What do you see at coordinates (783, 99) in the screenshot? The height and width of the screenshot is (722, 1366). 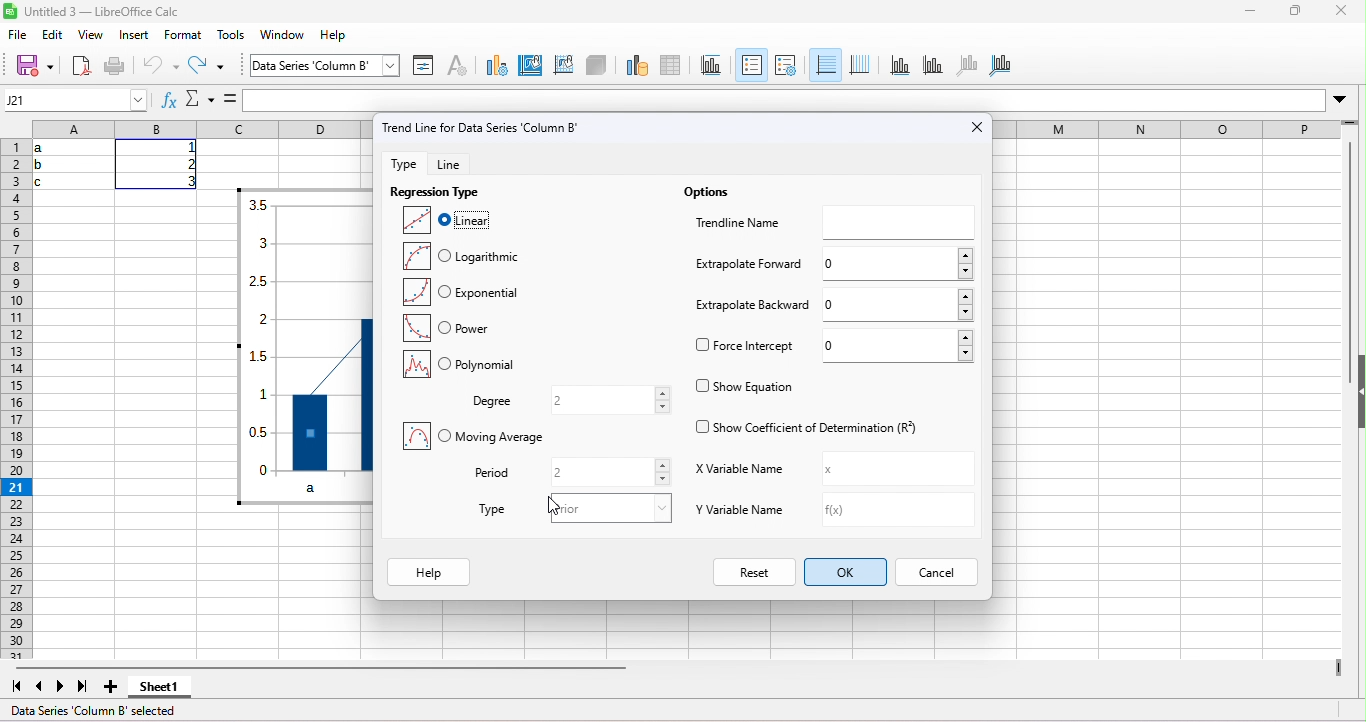 I see `input line` at bounding box center [783, 99].